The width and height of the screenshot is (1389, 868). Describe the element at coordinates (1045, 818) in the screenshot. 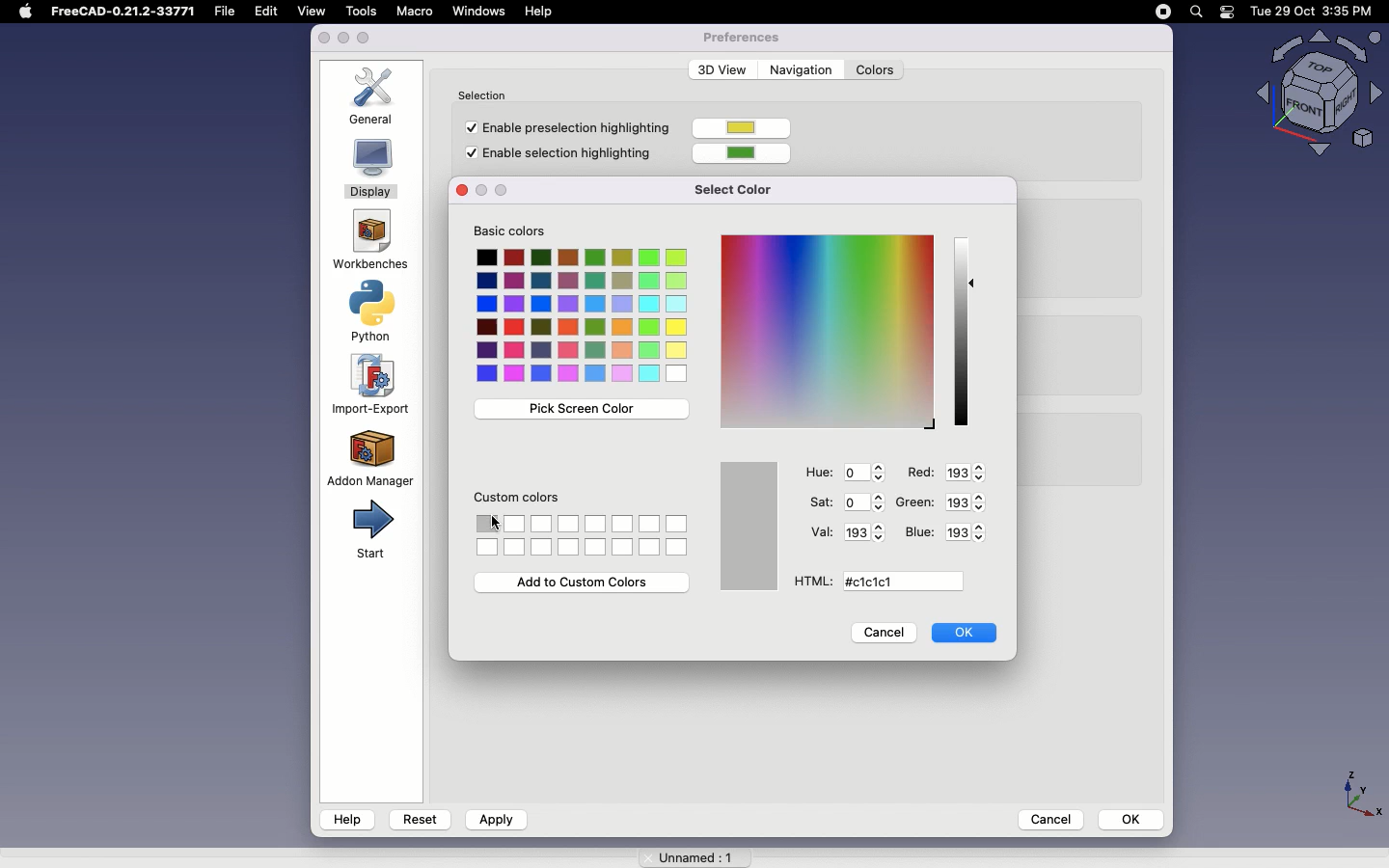

I see `Cancel` at that location.